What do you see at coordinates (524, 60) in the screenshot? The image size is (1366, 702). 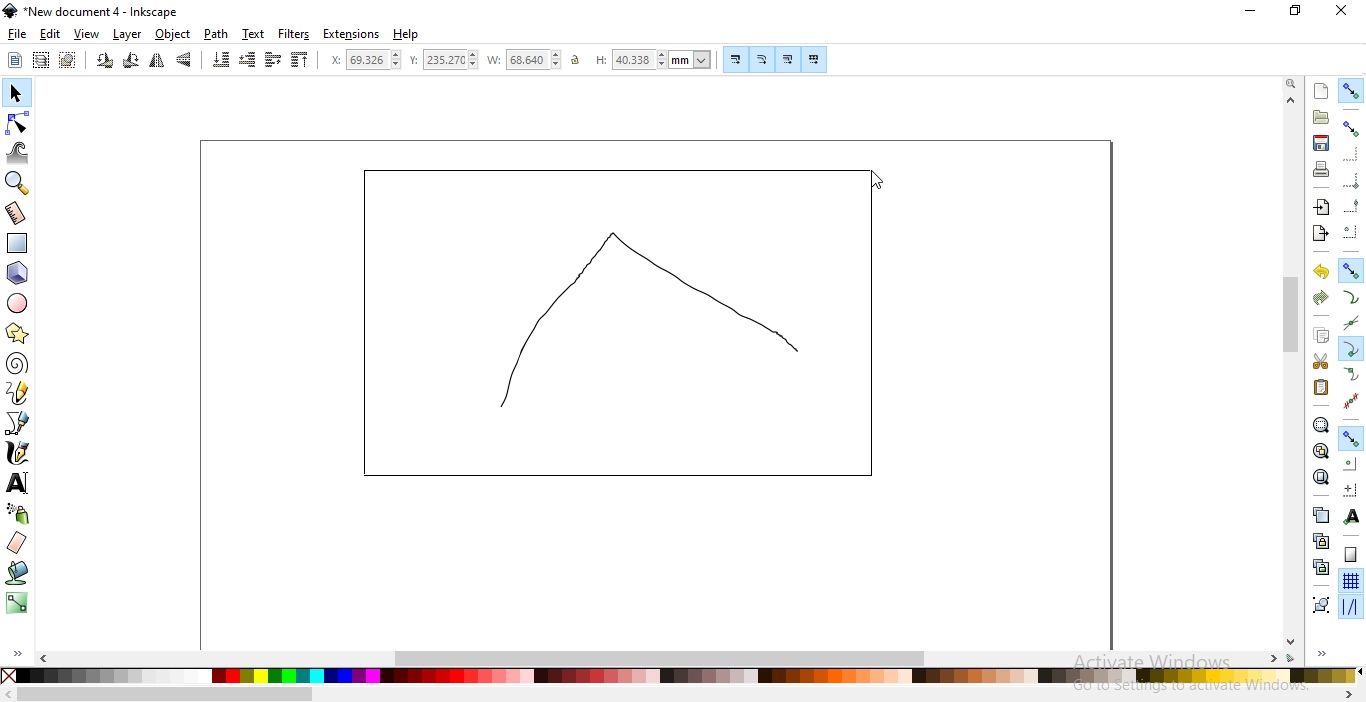 I see `width of selection` at bounding box center [524, 60].